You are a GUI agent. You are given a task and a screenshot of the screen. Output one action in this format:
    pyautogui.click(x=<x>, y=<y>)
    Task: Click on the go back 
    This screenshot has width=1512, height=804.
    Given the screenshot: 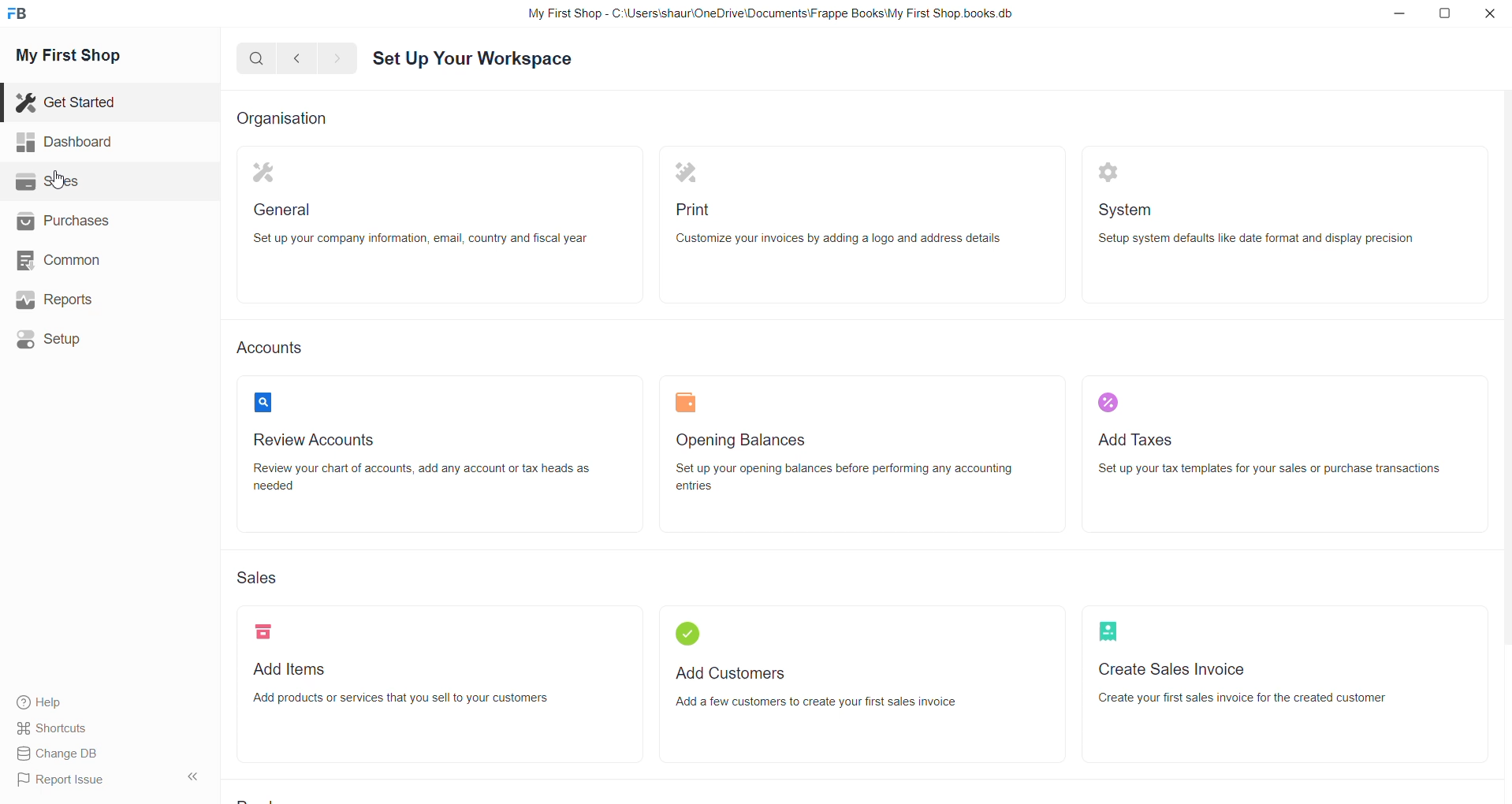 What is the action you would take?
    pyautogui.click(x=300, y=60)
    